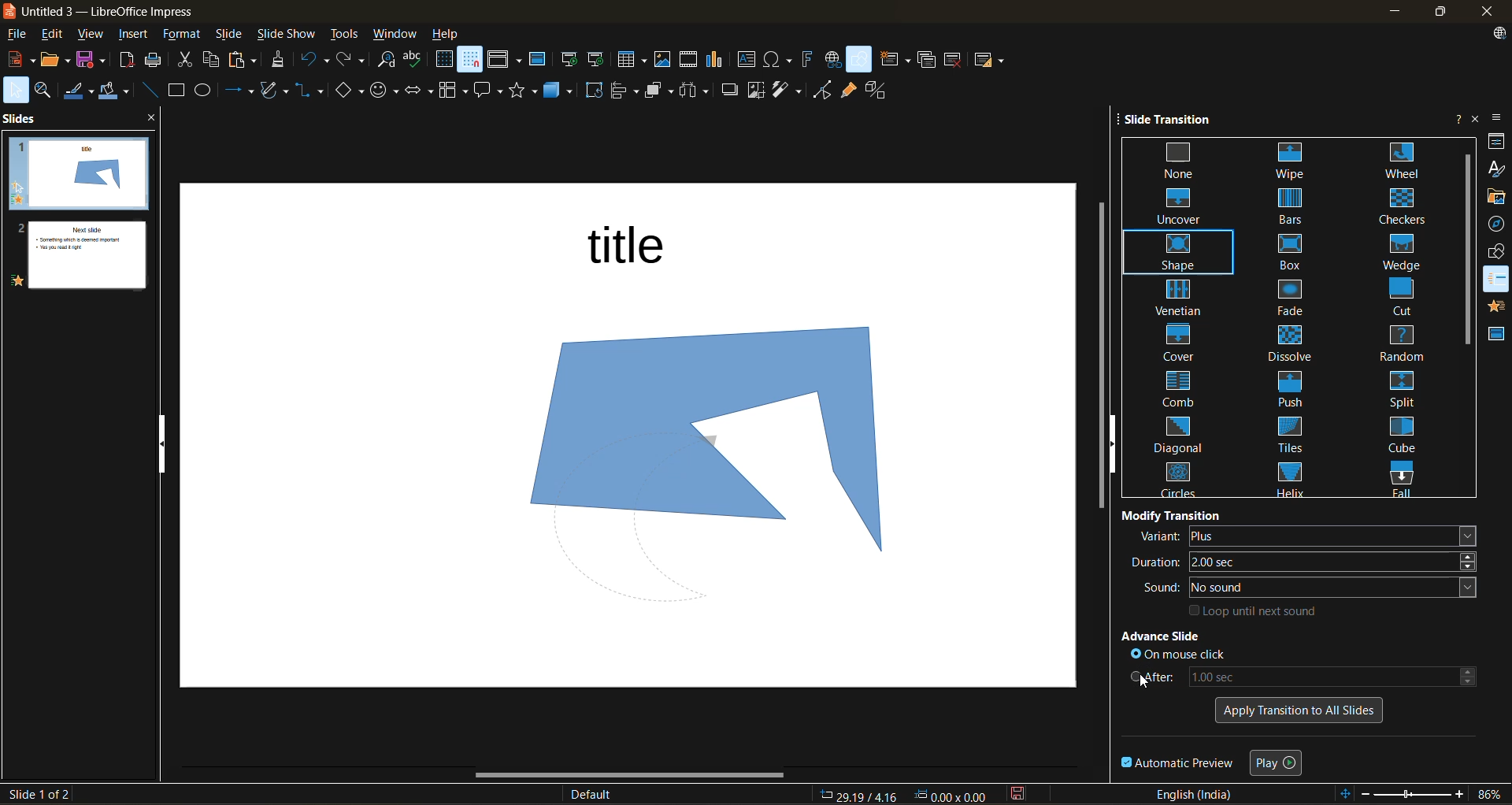 The height and width of the screenshot is (805, 1512). Describe the element at coordinates (697, 91) in the screenshot. I see `distribute` at that location.